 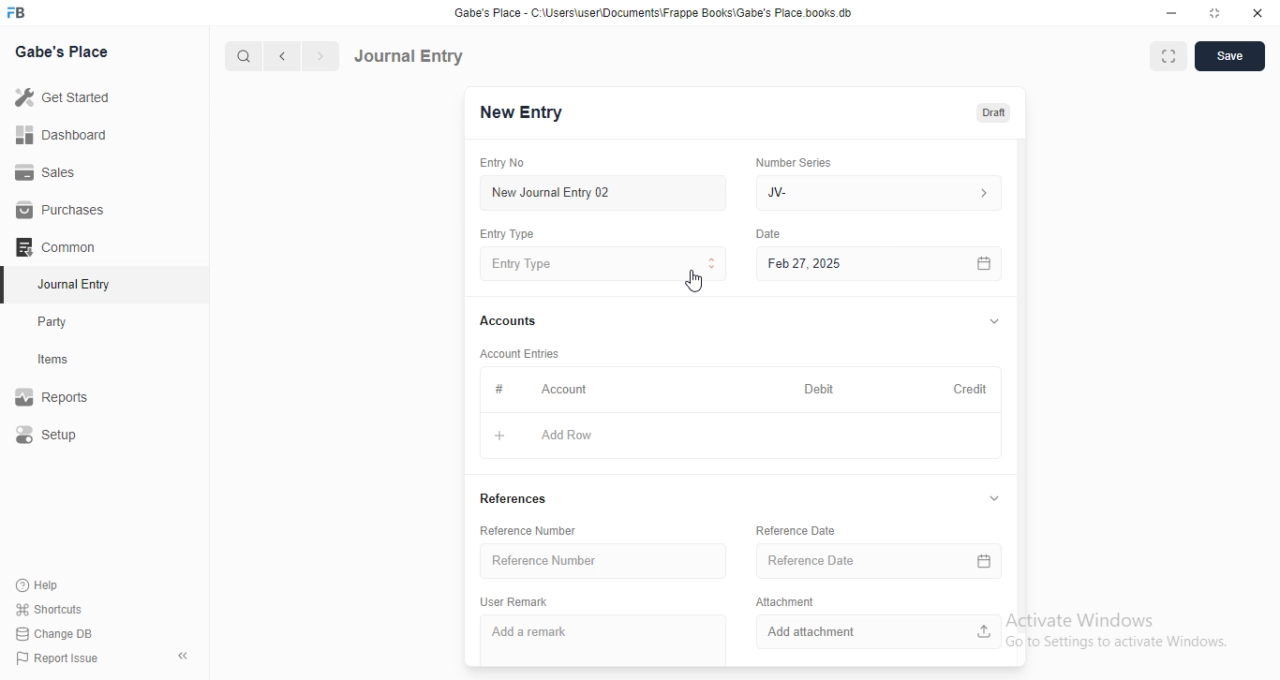 I want to click on New entry, so click(x=527, y=114).